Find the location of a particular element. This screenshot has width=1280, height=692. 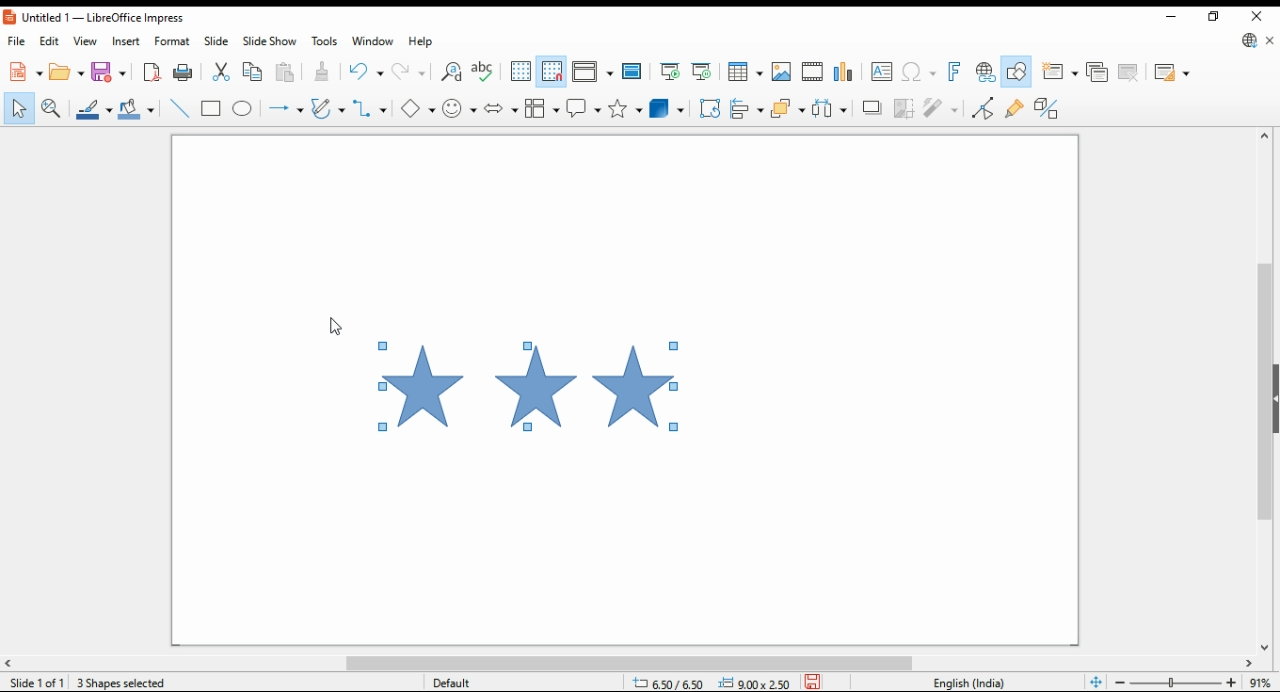

scroll bar is located at coordinates (1264, 389).